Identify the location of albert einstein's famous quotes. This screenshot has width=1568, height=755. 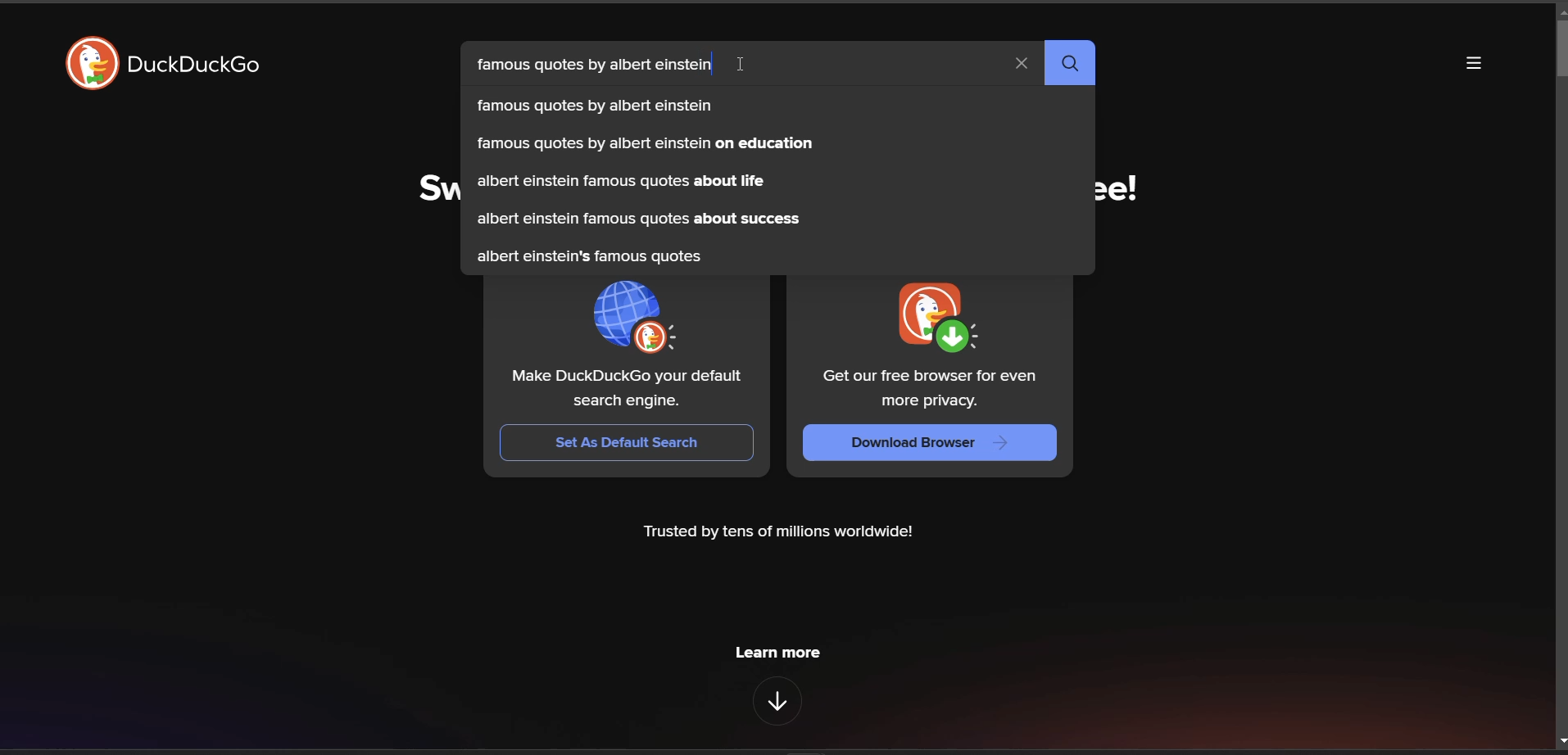
(587, 256).